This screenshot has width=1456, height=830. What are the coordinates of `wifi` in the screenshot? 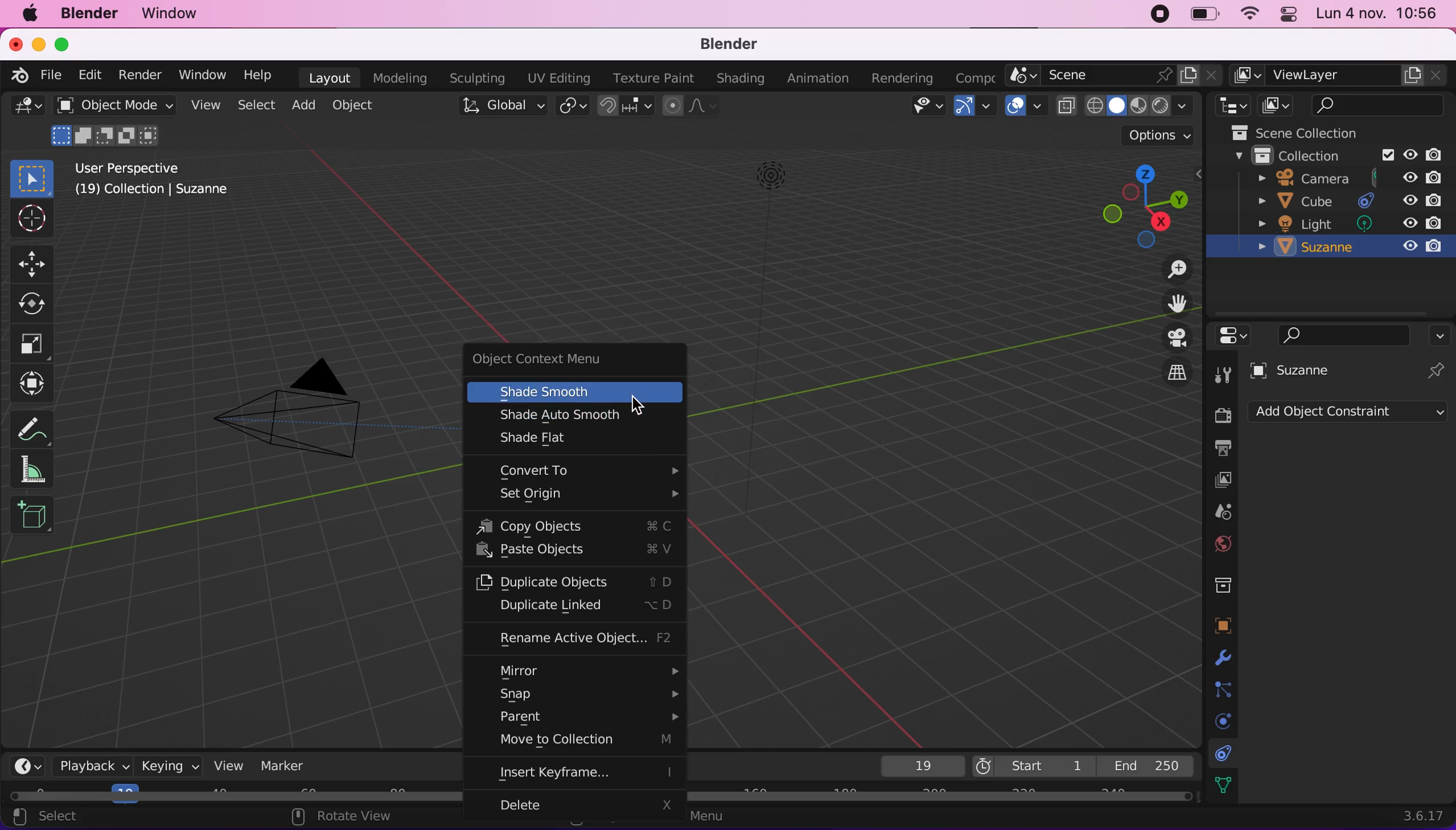 It's located at (1250, 15).